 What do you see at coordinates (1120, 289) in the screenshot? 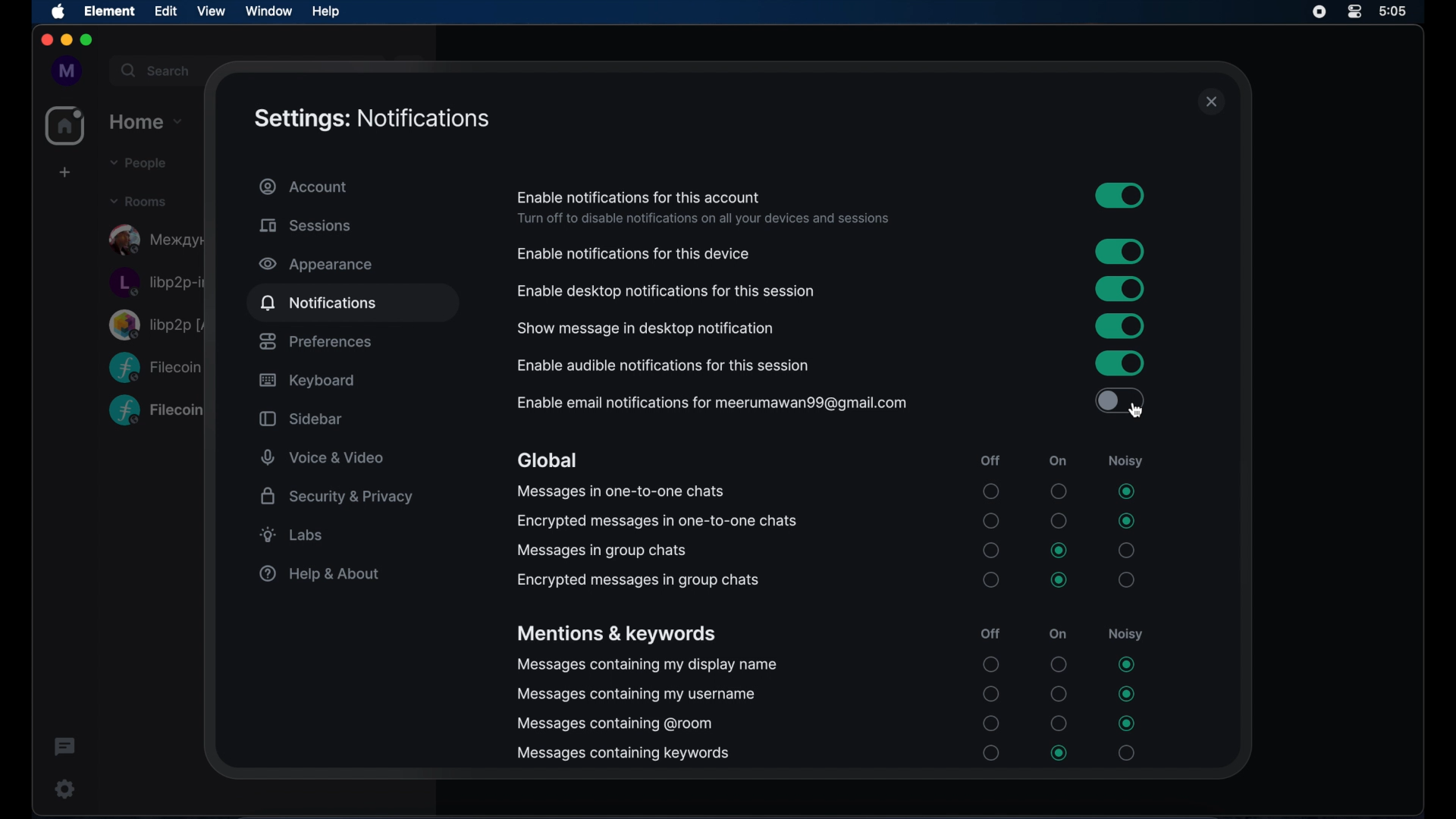
I see `toggle button` at bounding box center [1120, 289].